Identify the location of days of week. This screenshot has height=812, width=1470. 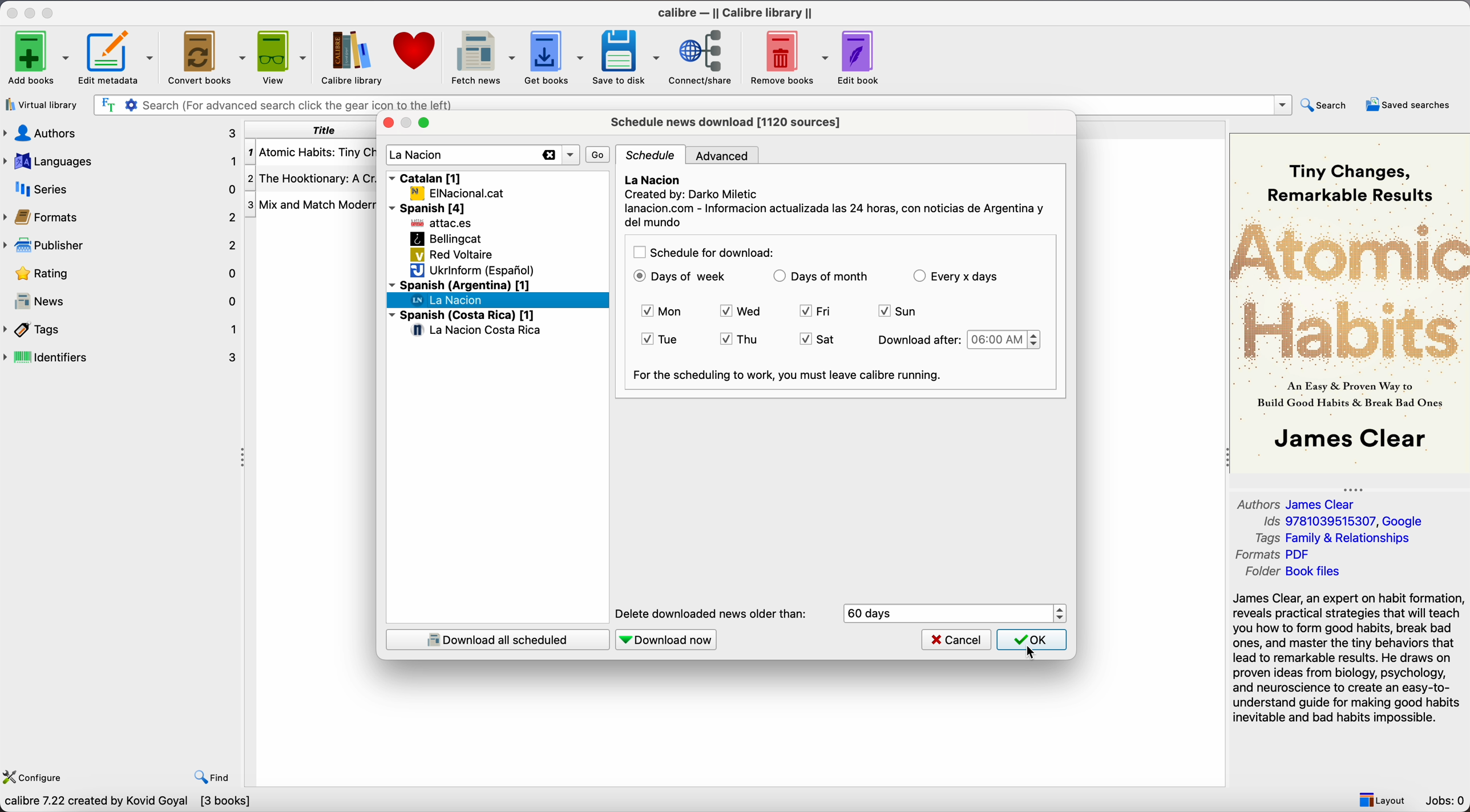
(681, 277).